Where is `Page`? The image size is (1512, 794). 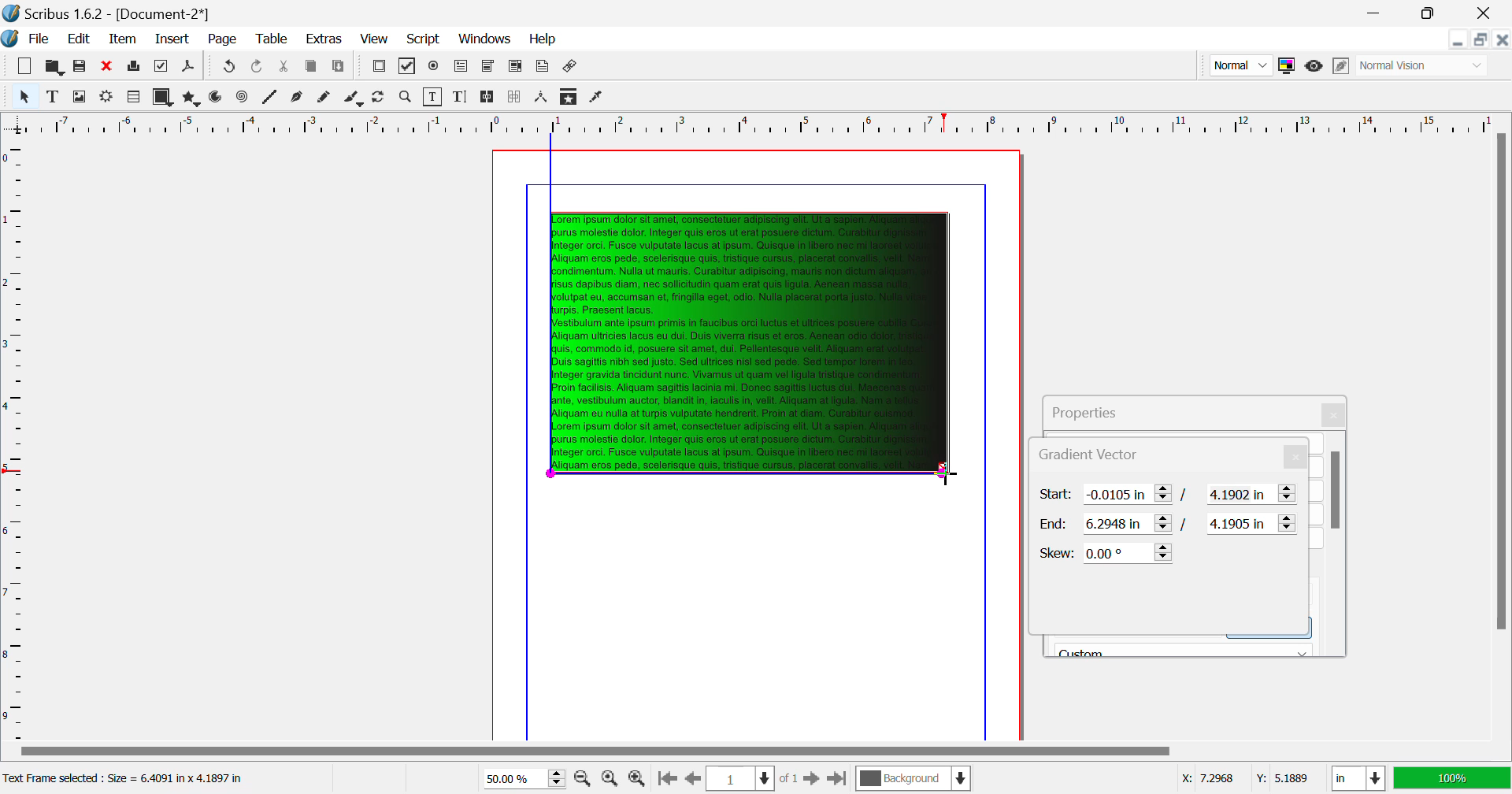
Page is located at coordinates (221, 40).